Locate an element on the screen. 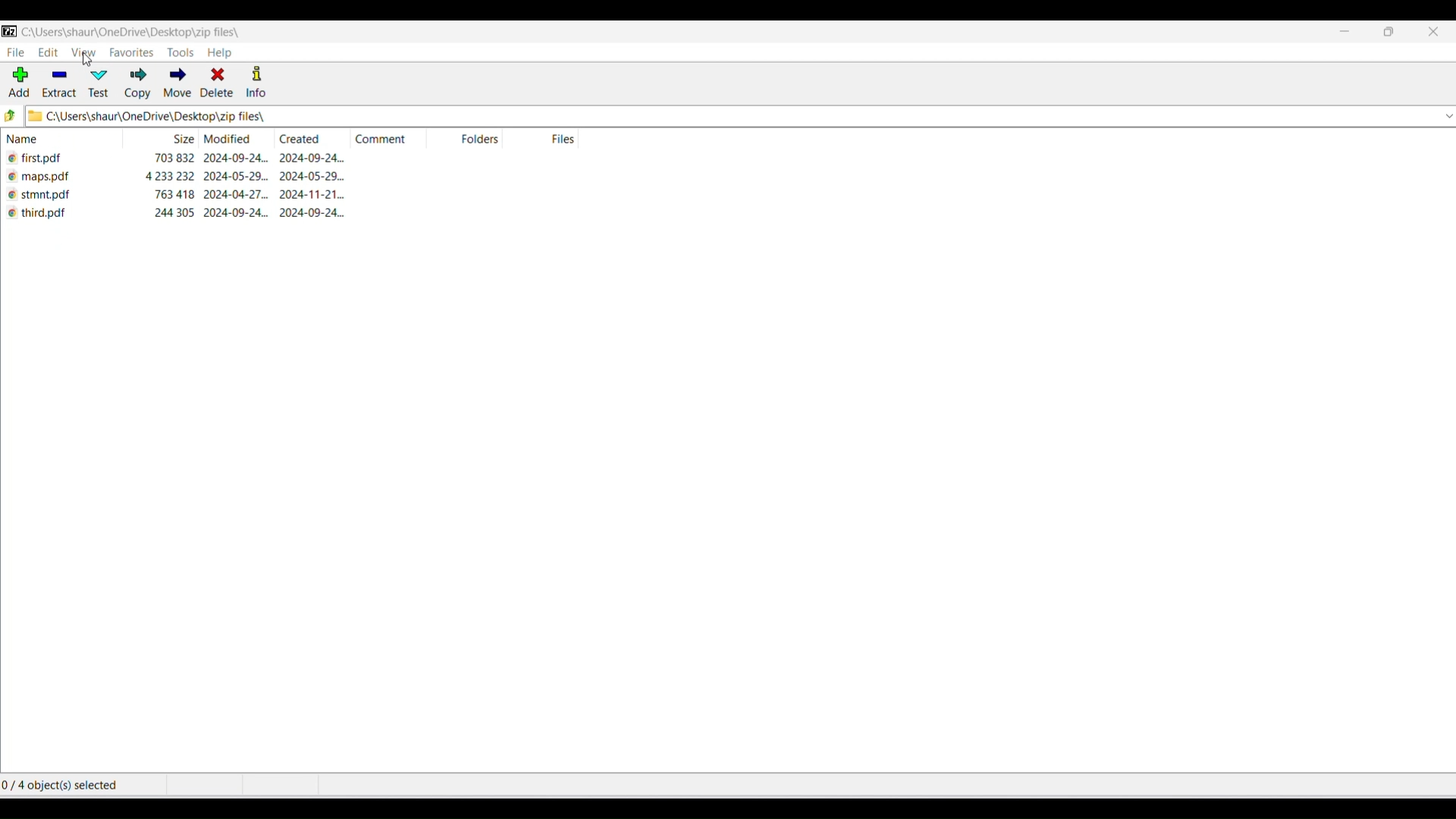 The width and height of the screenshot is (1456, 819). edit is located at coordinates (47, 52).